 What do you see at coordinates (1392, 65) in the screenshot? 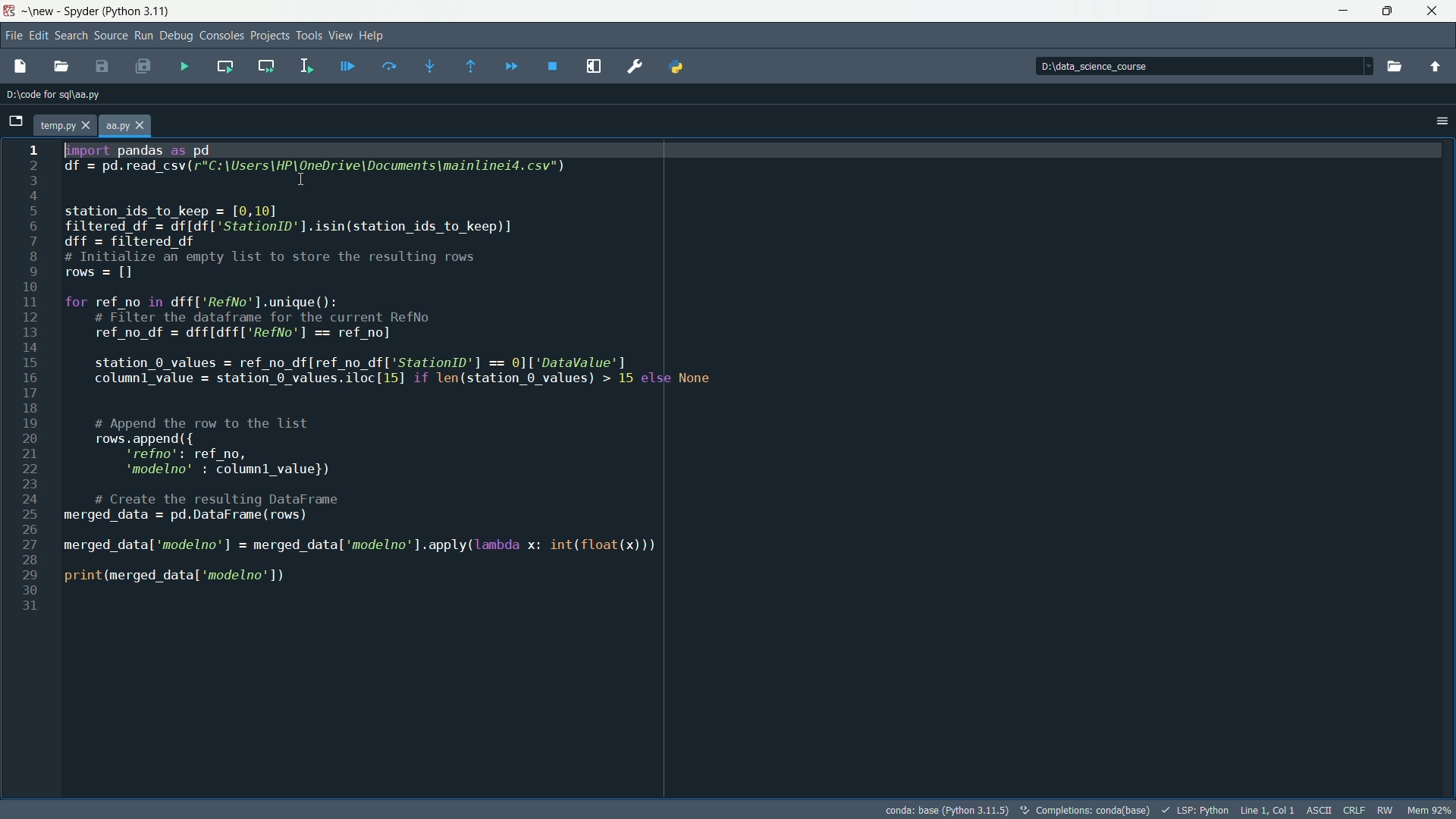
I see `browse a working directory` at bounding box center [1392, 65].